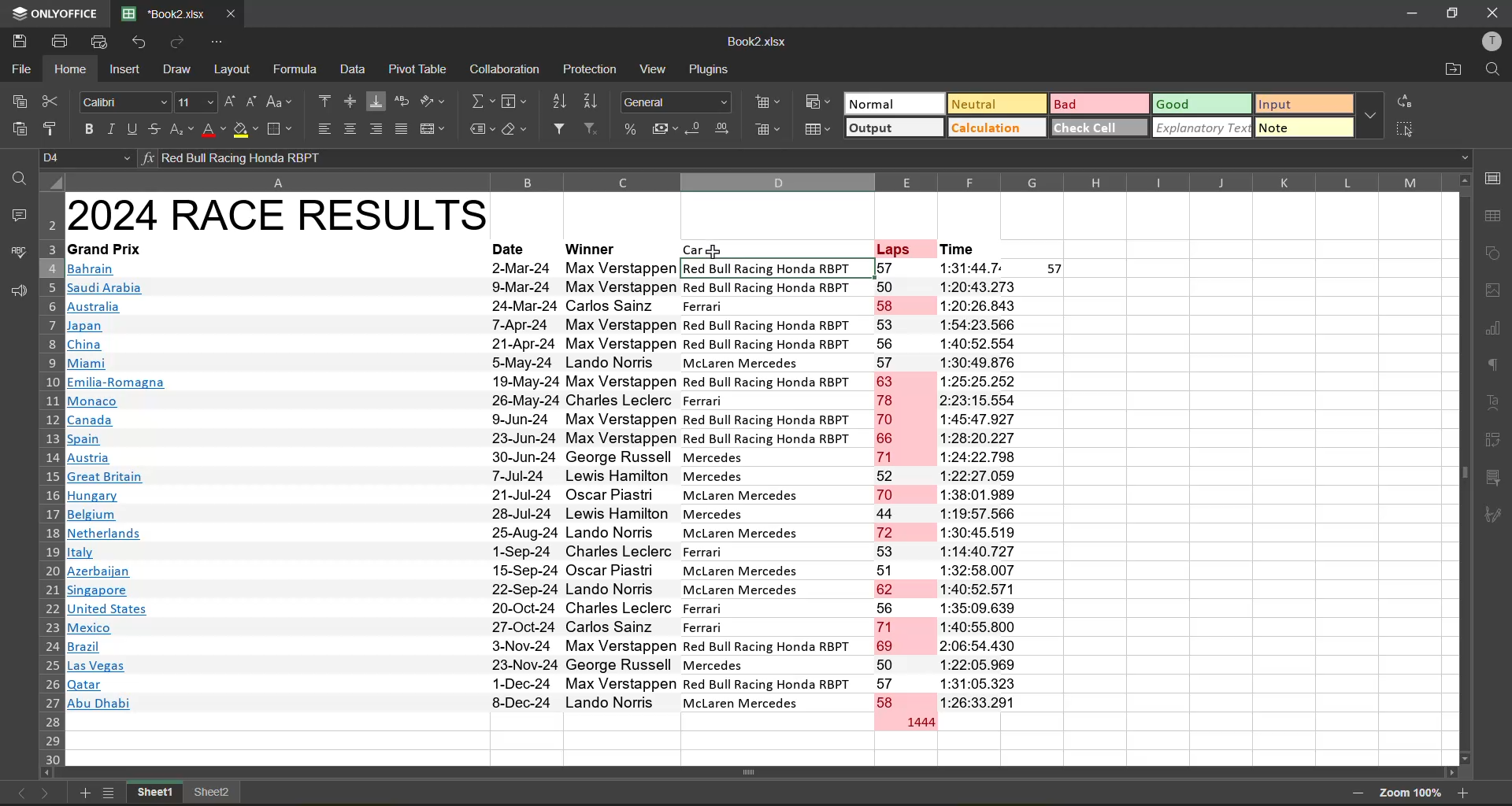 This screenshot has height=806, width=1512. Describe the element at coordinates (506, 70) in the screenshot. I see `calculation` at that location.